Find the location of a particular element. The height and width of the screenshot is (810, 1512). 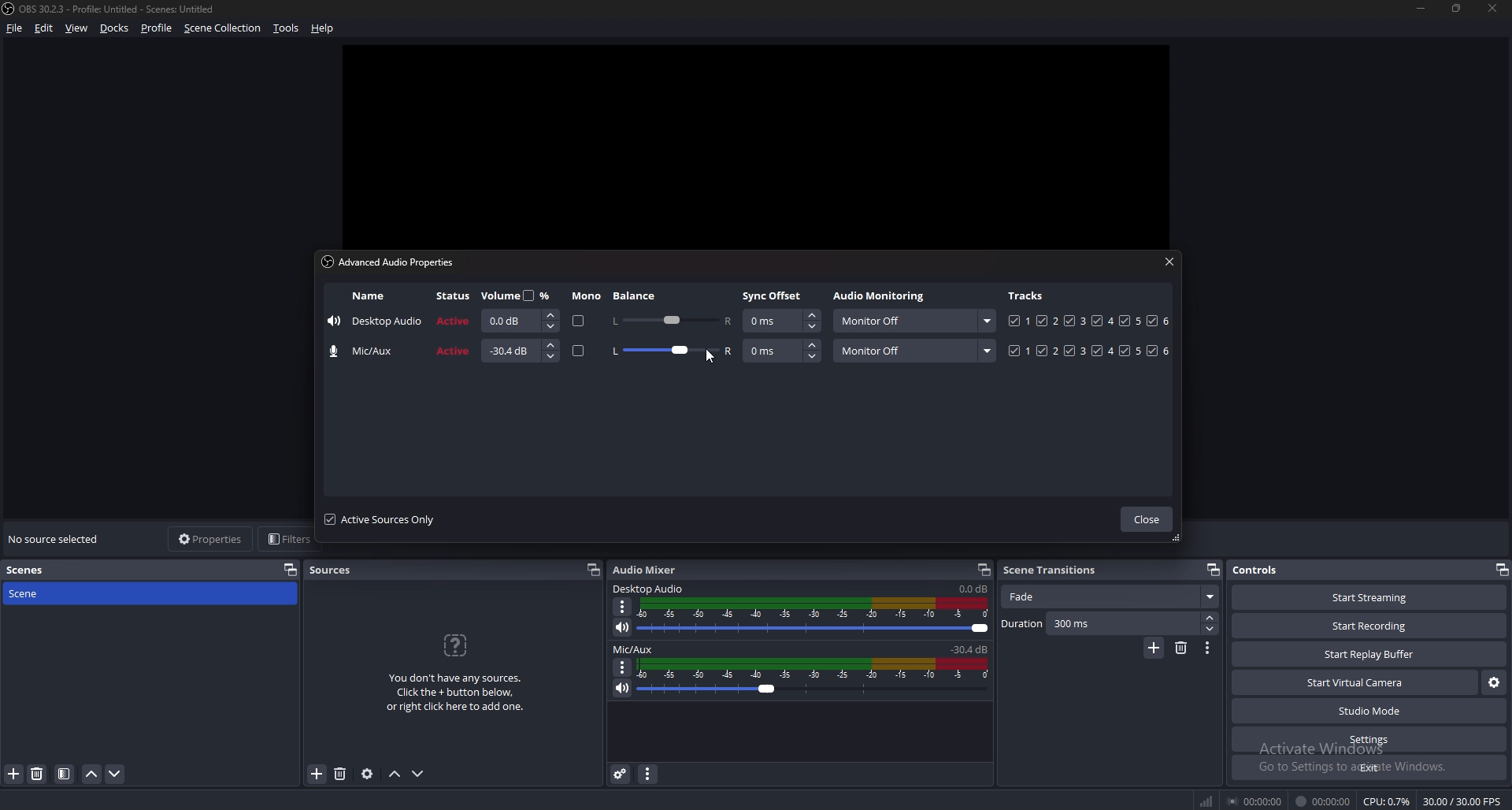

pop out is located at coordinates (1499, 570).